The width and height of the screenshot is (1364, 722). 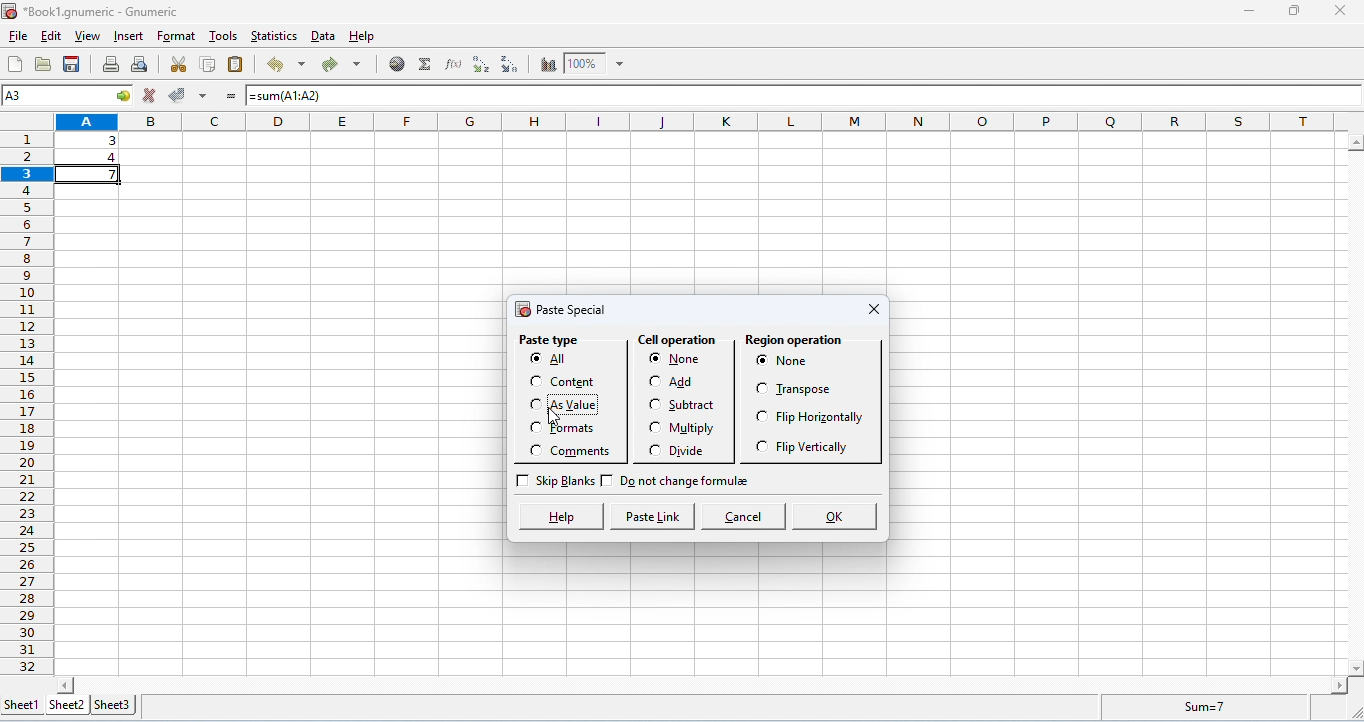 What do you see at coordinates (546, 64) in the screenshot?
I see `chart` at bounding box center [546, 64].